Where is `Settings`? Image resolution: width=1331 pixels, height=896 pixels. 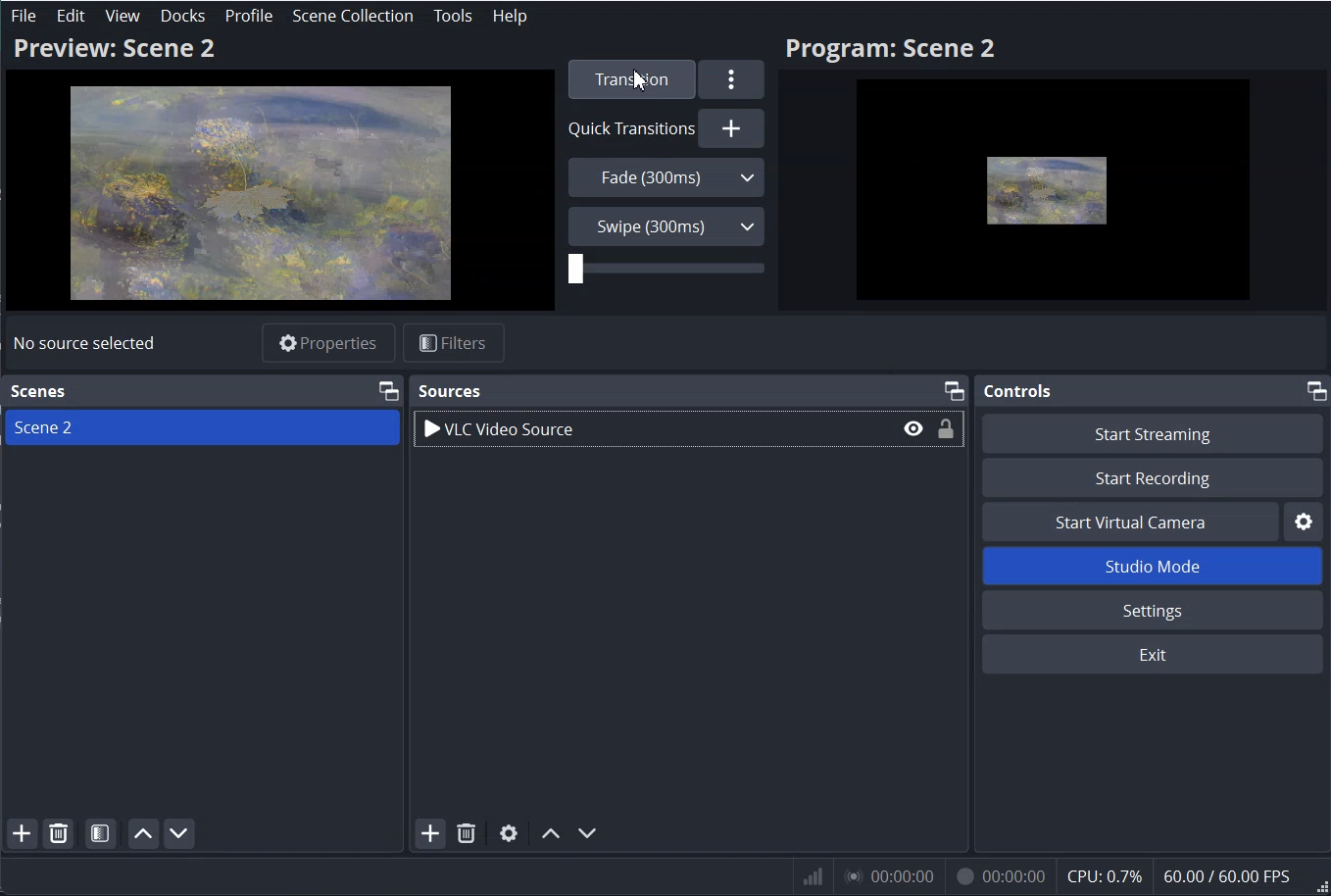
Settings is located at coordinates (1306, 521).